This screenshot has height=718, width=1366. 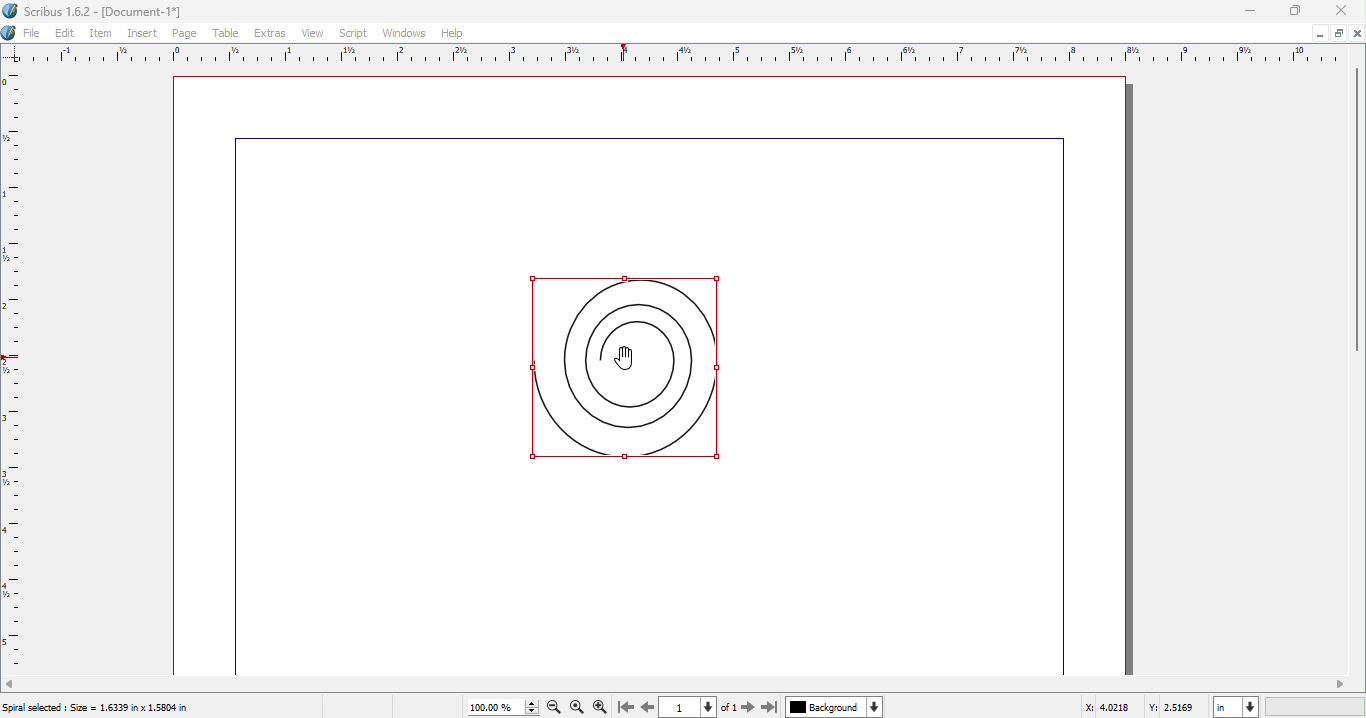 What do you see at coordinates (452, 32) in the screenshot?
I see `Help` at bounding box center [452, 32].